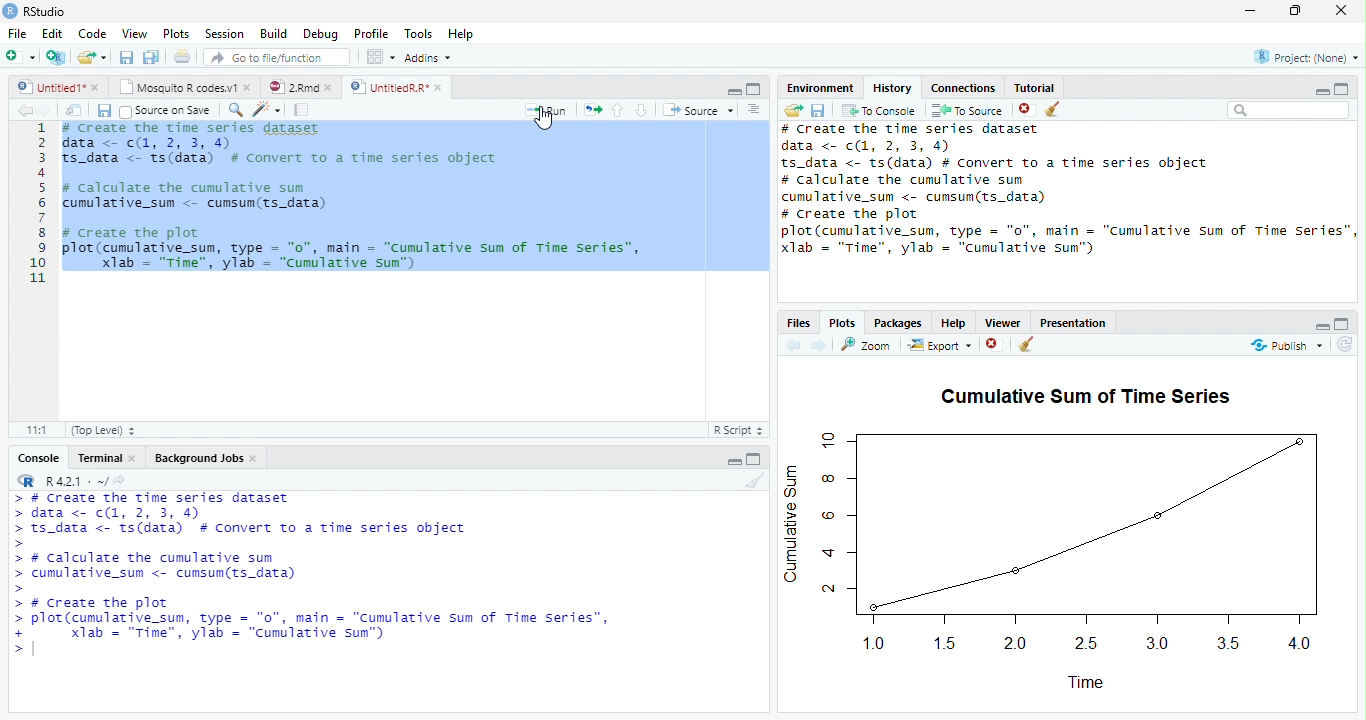  Describe the element at coordinates (756, 460) in the screenshot. I see `Maximize` at that location.